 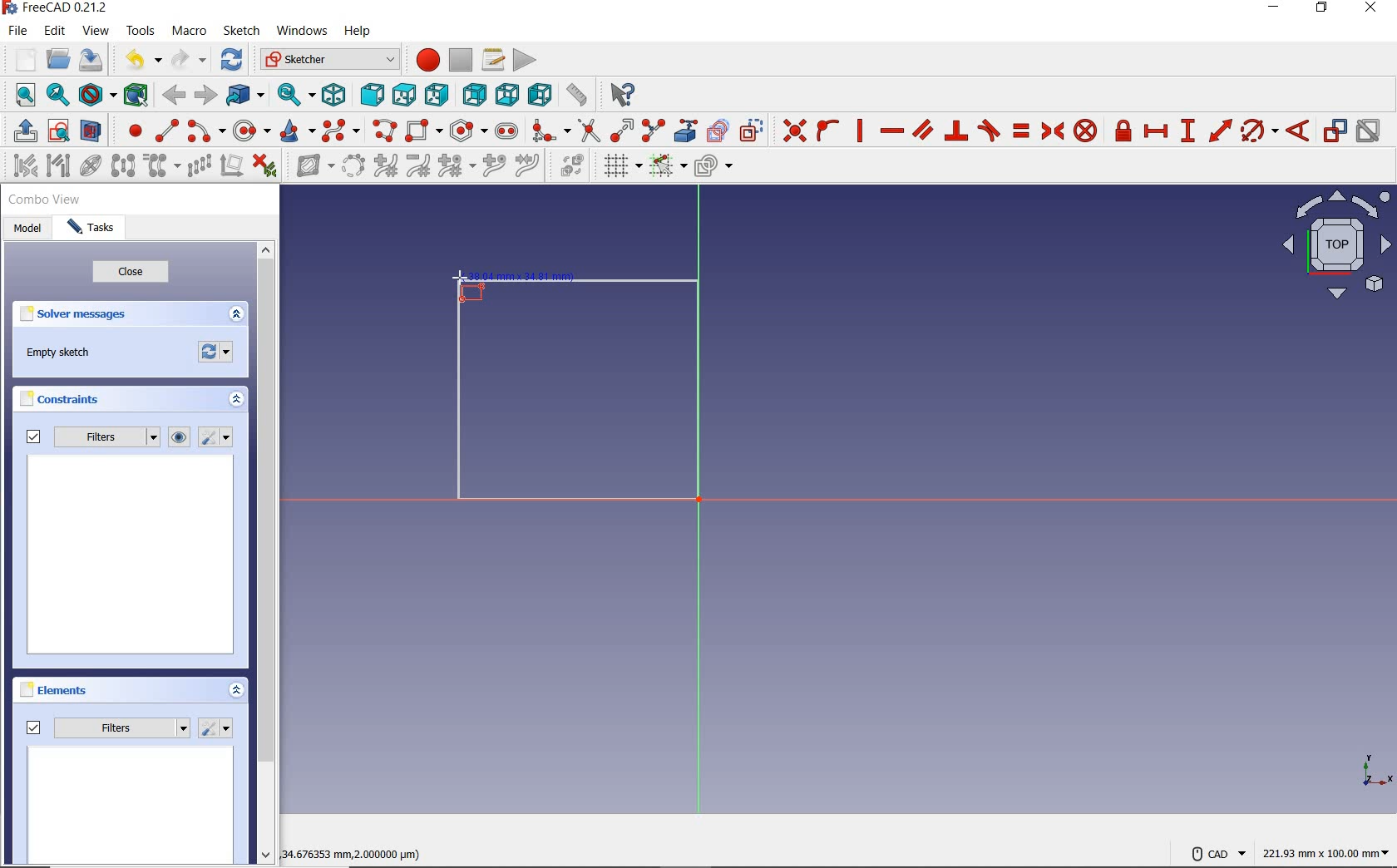 I want to click on scrollbar, so click(x=265, y=555).